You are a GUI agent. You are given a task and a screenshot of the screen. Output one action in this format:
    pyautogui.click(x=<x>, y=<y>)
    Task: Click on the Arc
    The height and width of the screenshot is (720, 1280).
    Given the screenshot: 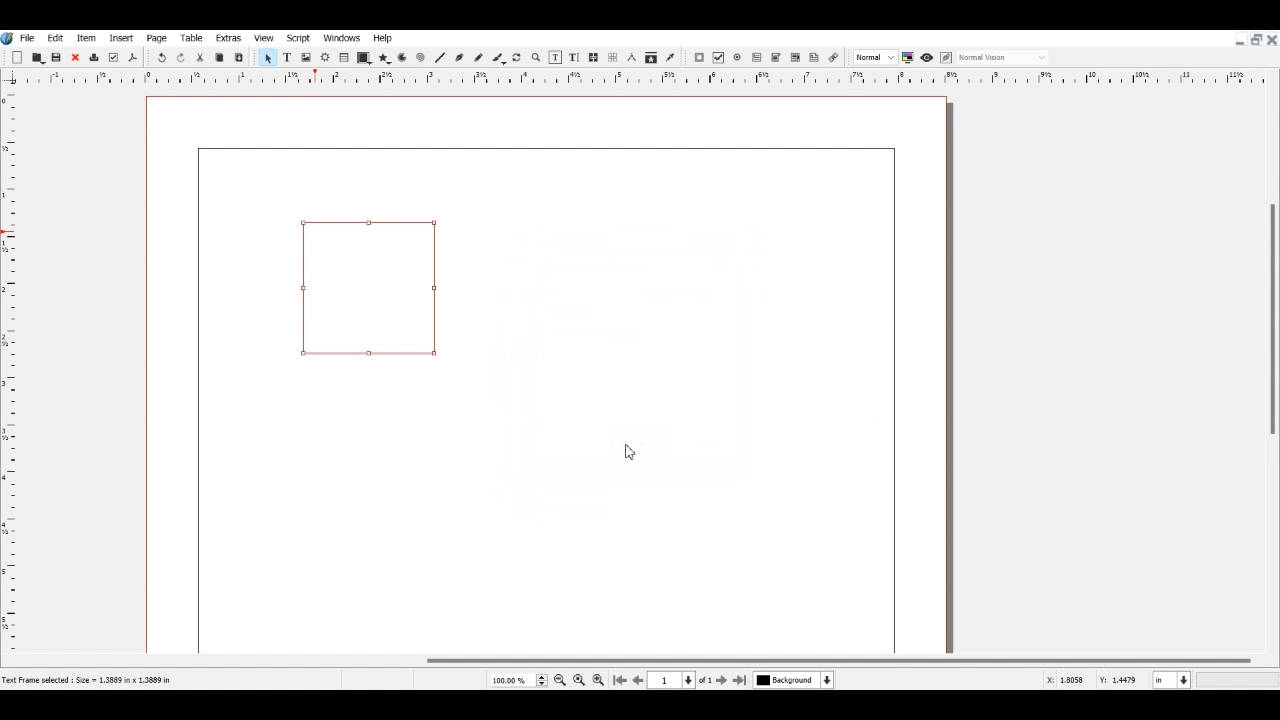 What is the action you would take?
    pyautogui.click(x=402, y=59)
    